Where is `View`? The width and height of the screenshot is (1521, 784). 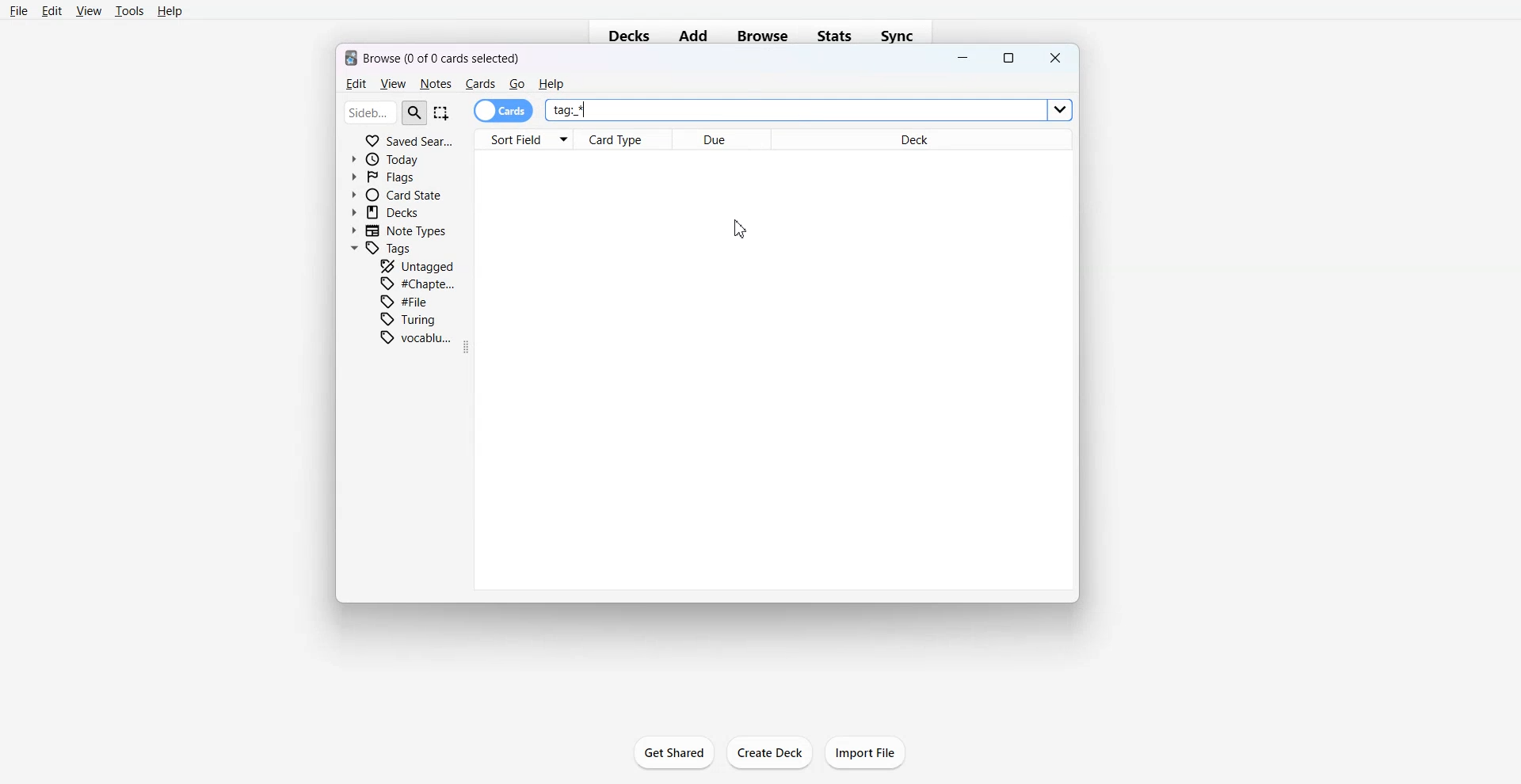
View is located at coordinates (88, 10).